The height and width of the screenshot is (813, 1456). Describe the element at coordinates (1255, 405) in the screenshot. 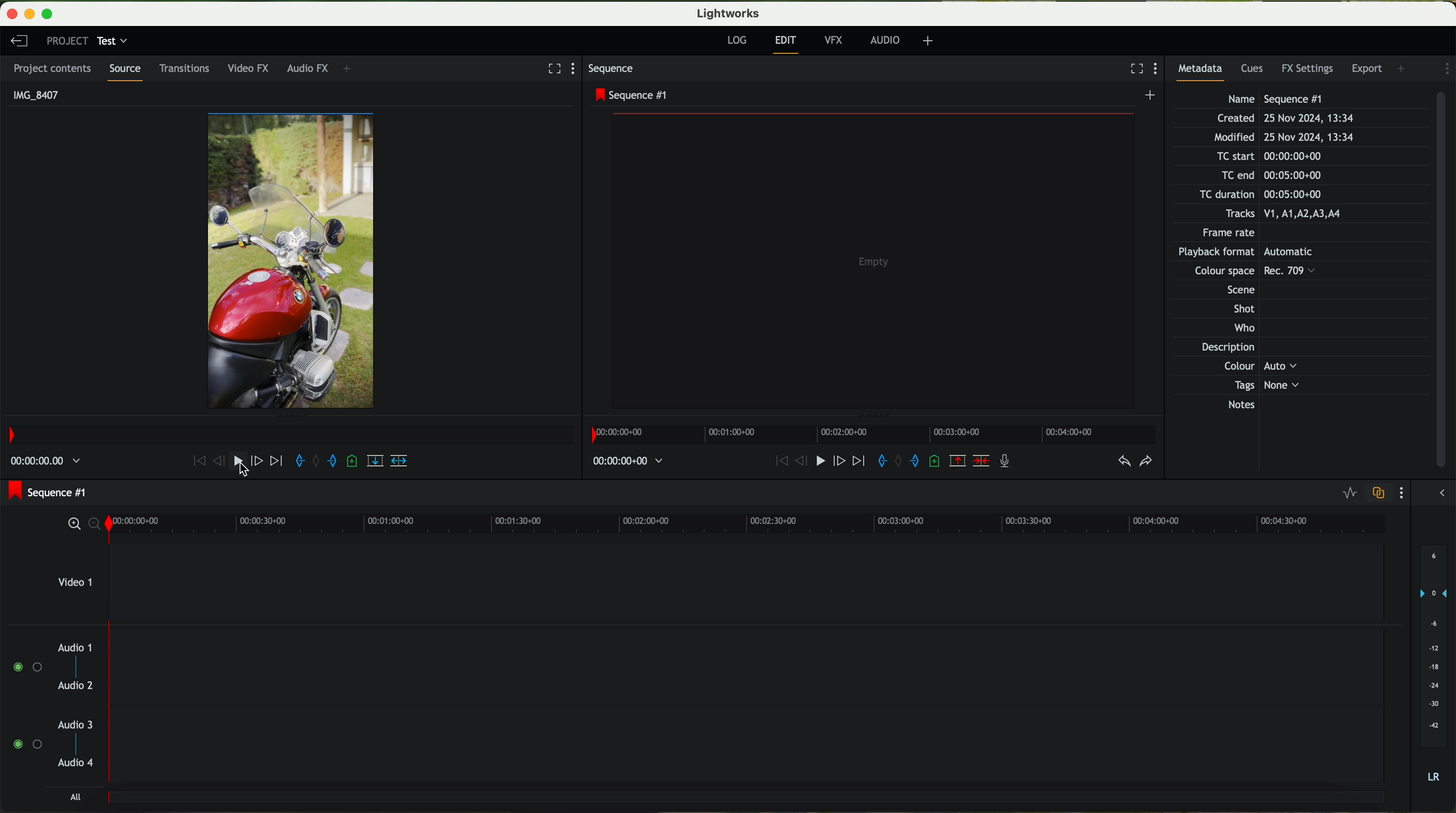

I see `Notes` at that location.